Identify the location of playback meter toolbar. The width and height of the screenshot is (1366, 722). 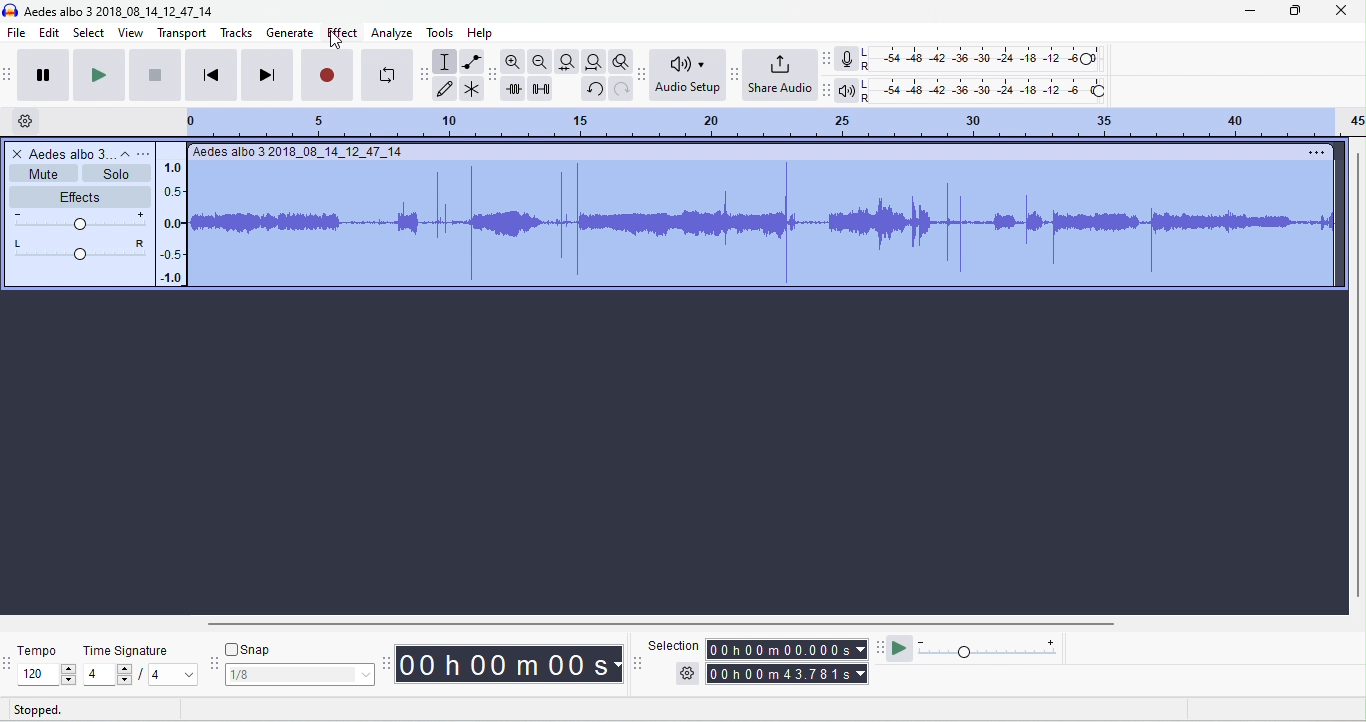
(830, 91).